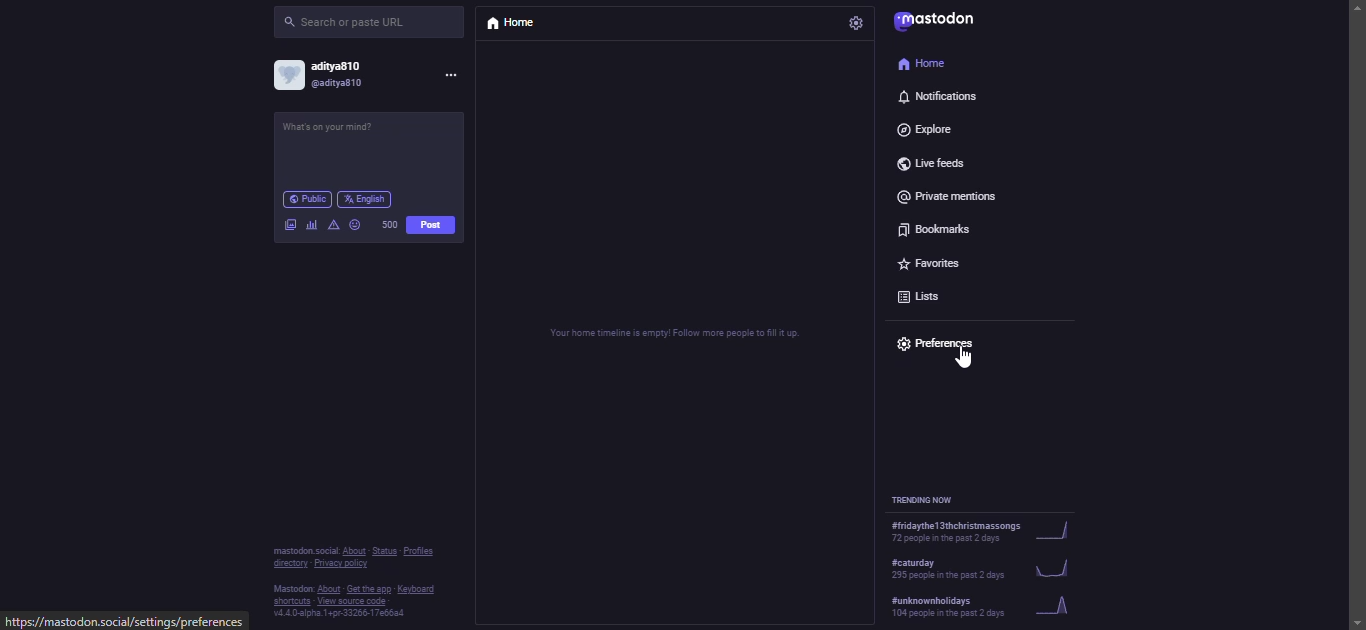  I want to click on home, so click(510, 25).